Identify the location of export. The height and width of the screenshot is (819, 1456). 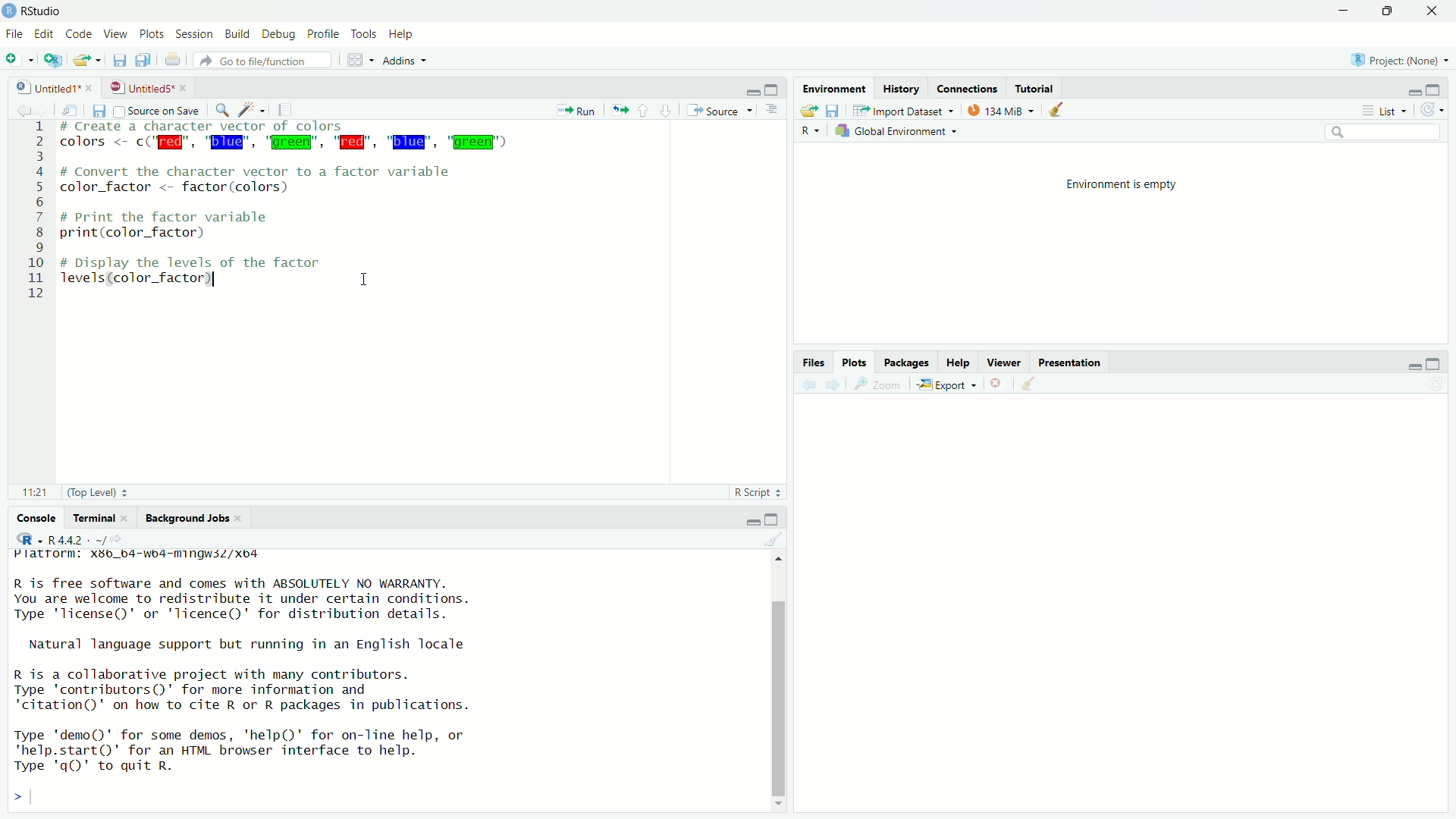
(945, 385).